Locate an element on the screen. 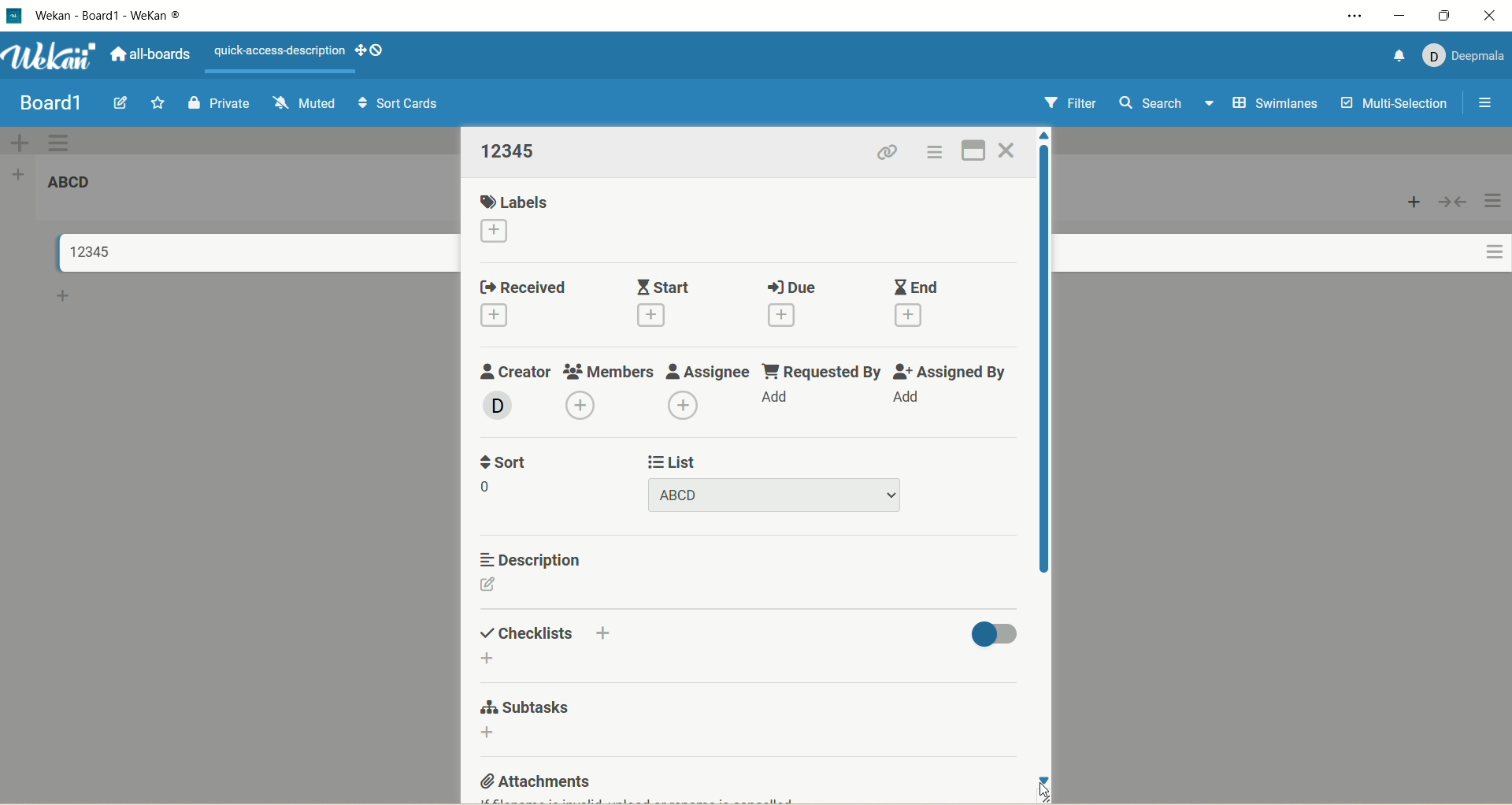  title is located at coordinates (50, 103).